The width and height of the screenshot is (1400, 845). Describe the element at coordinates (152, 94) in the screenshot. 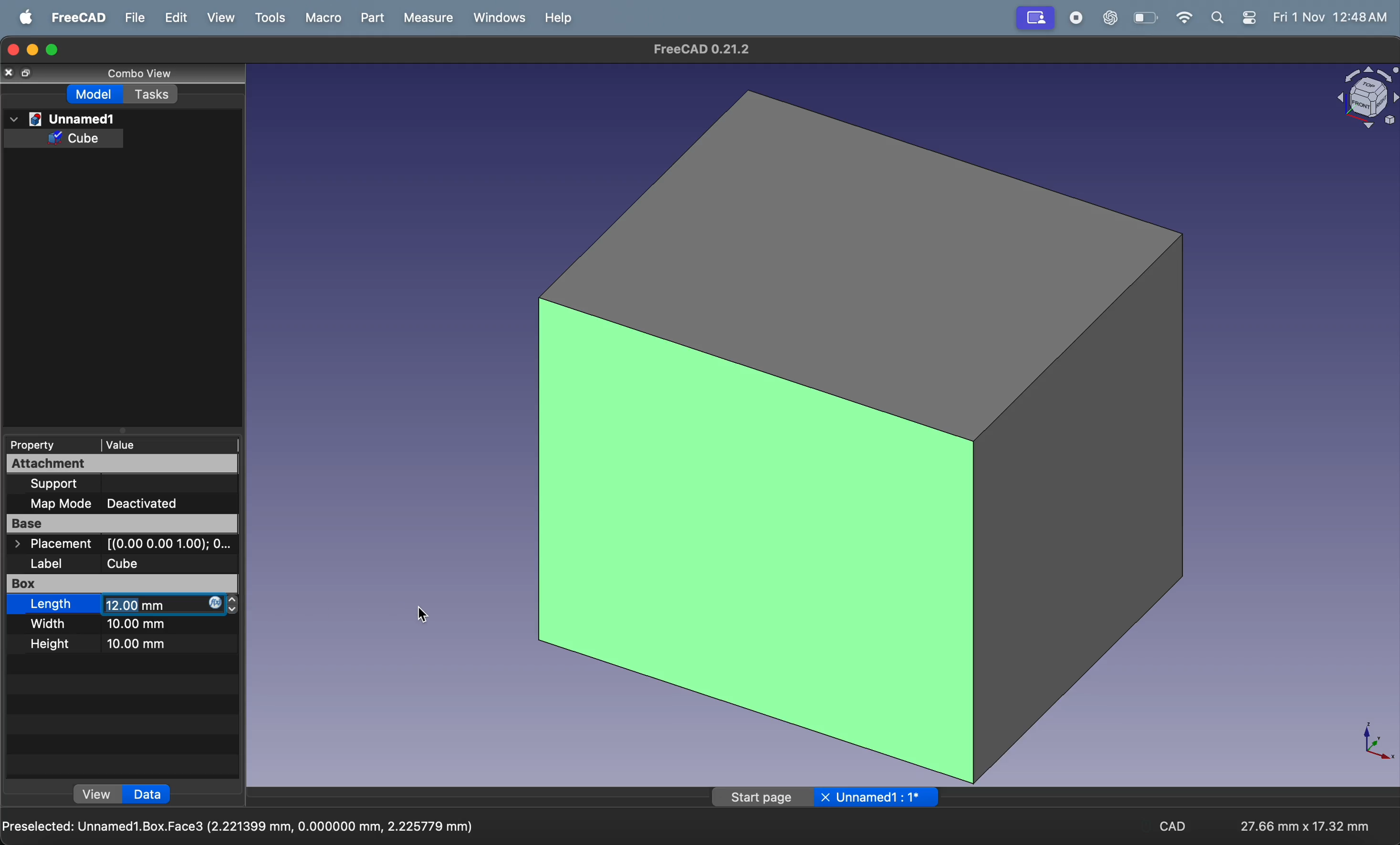

I see `tasks` at that location.